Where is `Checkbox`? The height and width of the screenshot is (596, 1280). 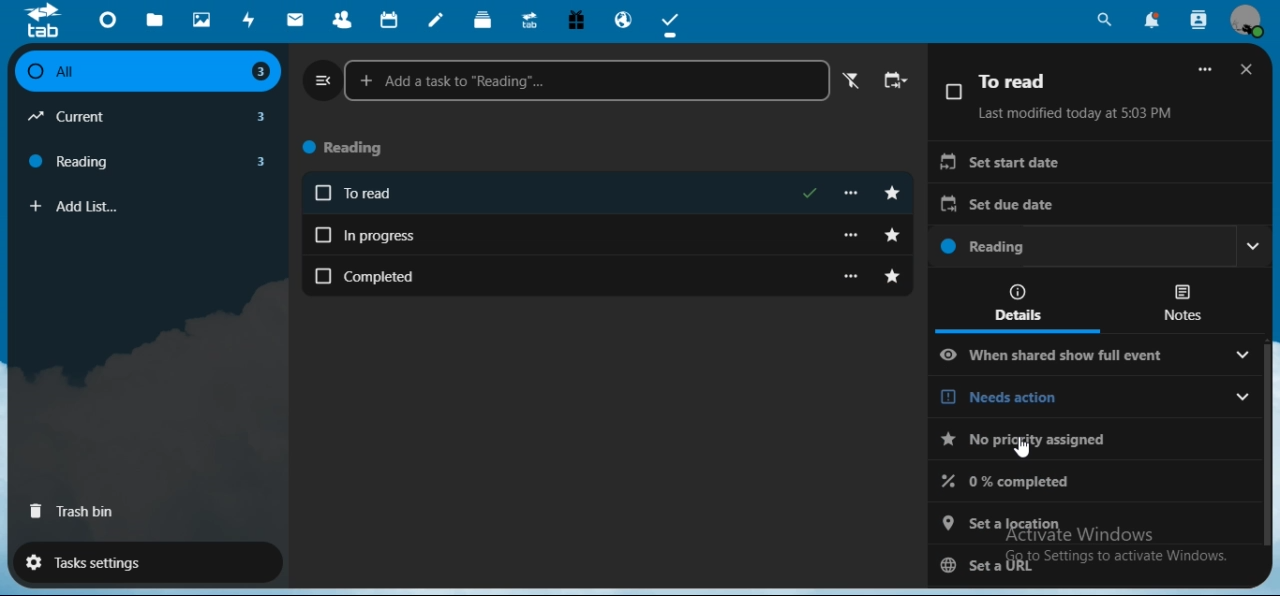 Checkbox is located at coordinates (322, 233).